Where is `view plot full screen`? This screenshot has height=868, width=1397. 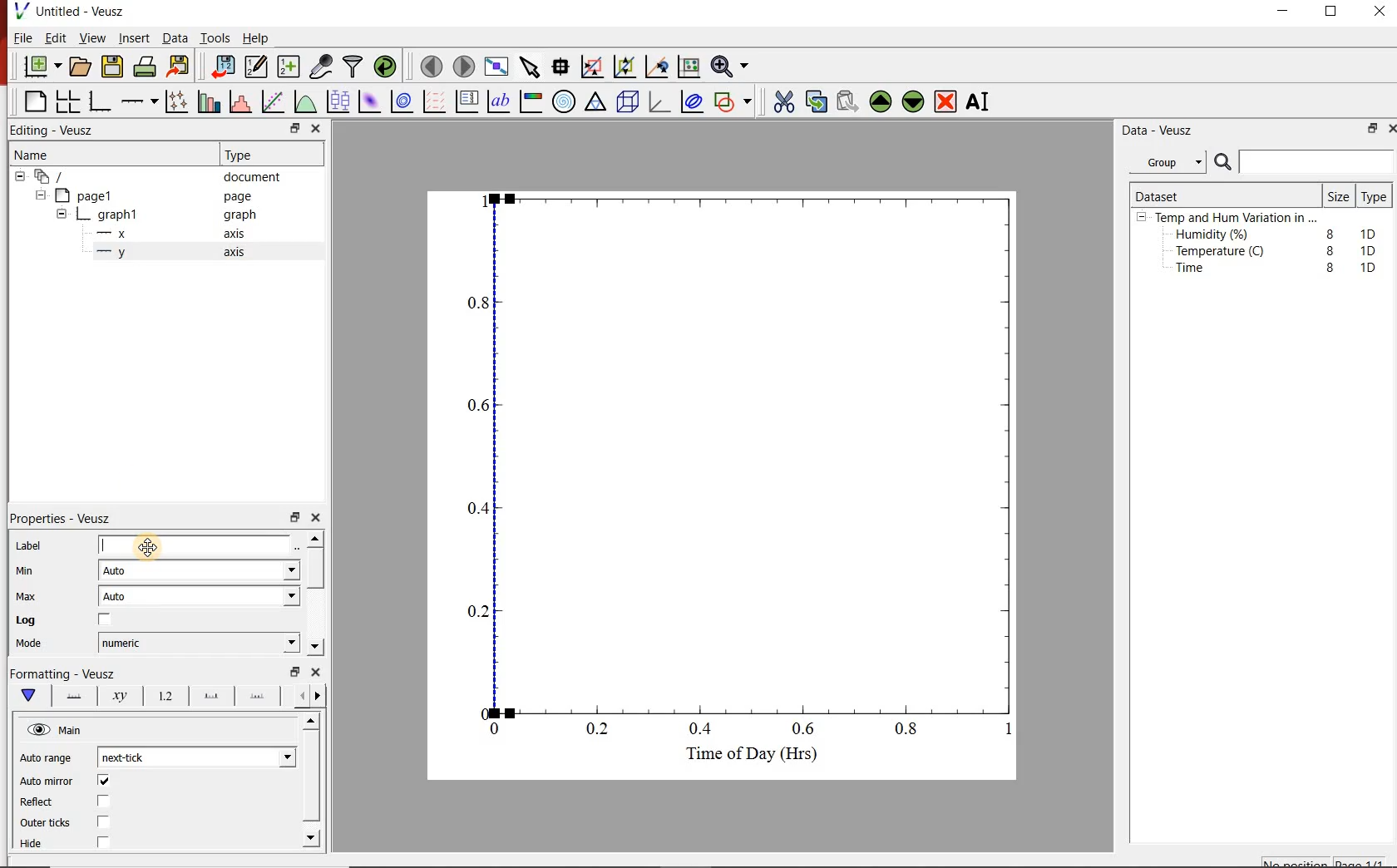 view plot full screen is located at coordinates (497, 67).